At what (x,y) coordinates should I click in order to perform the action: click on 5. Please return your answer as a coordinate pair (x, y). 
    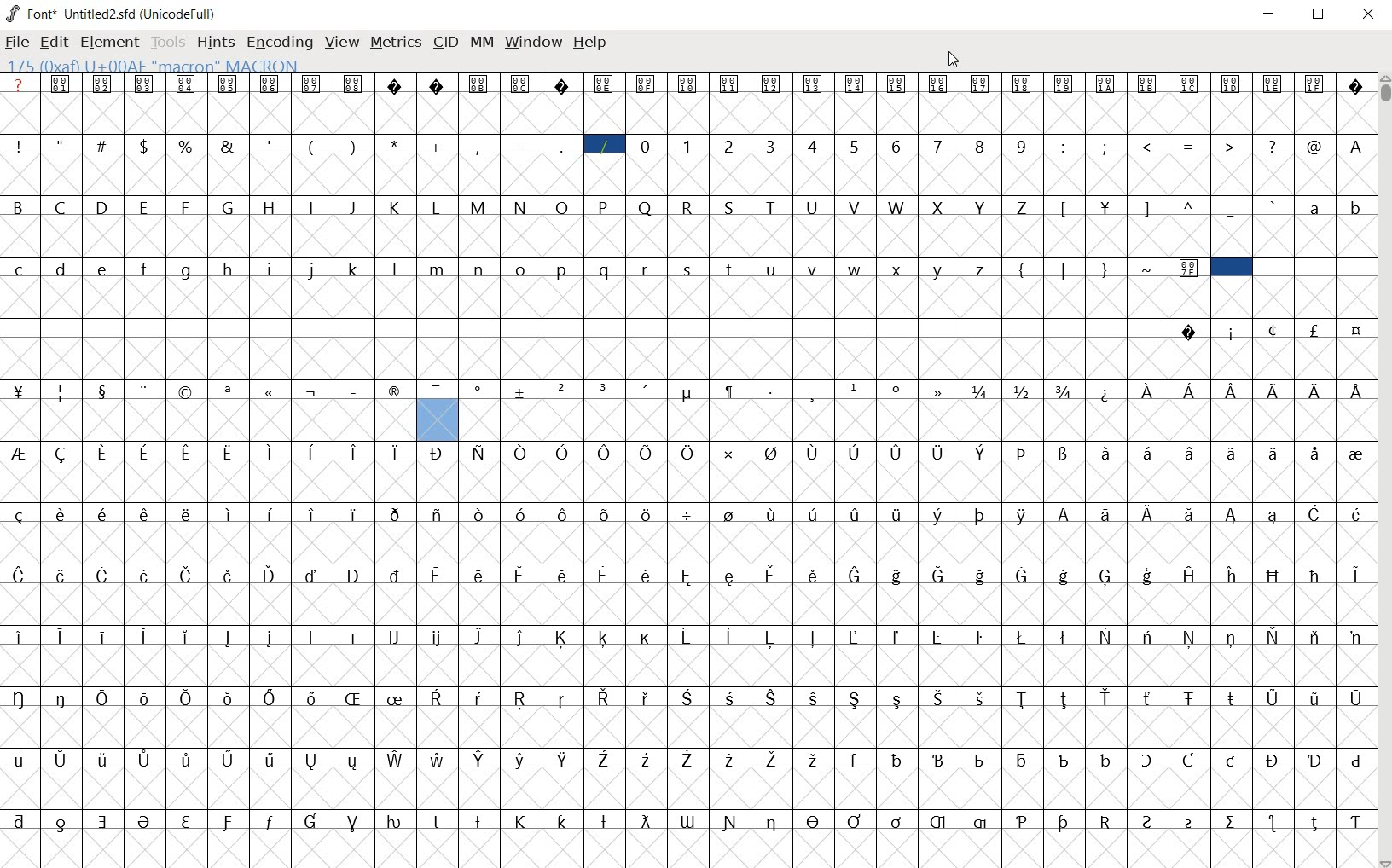
    Looking at the image, I should click on (857, 145).